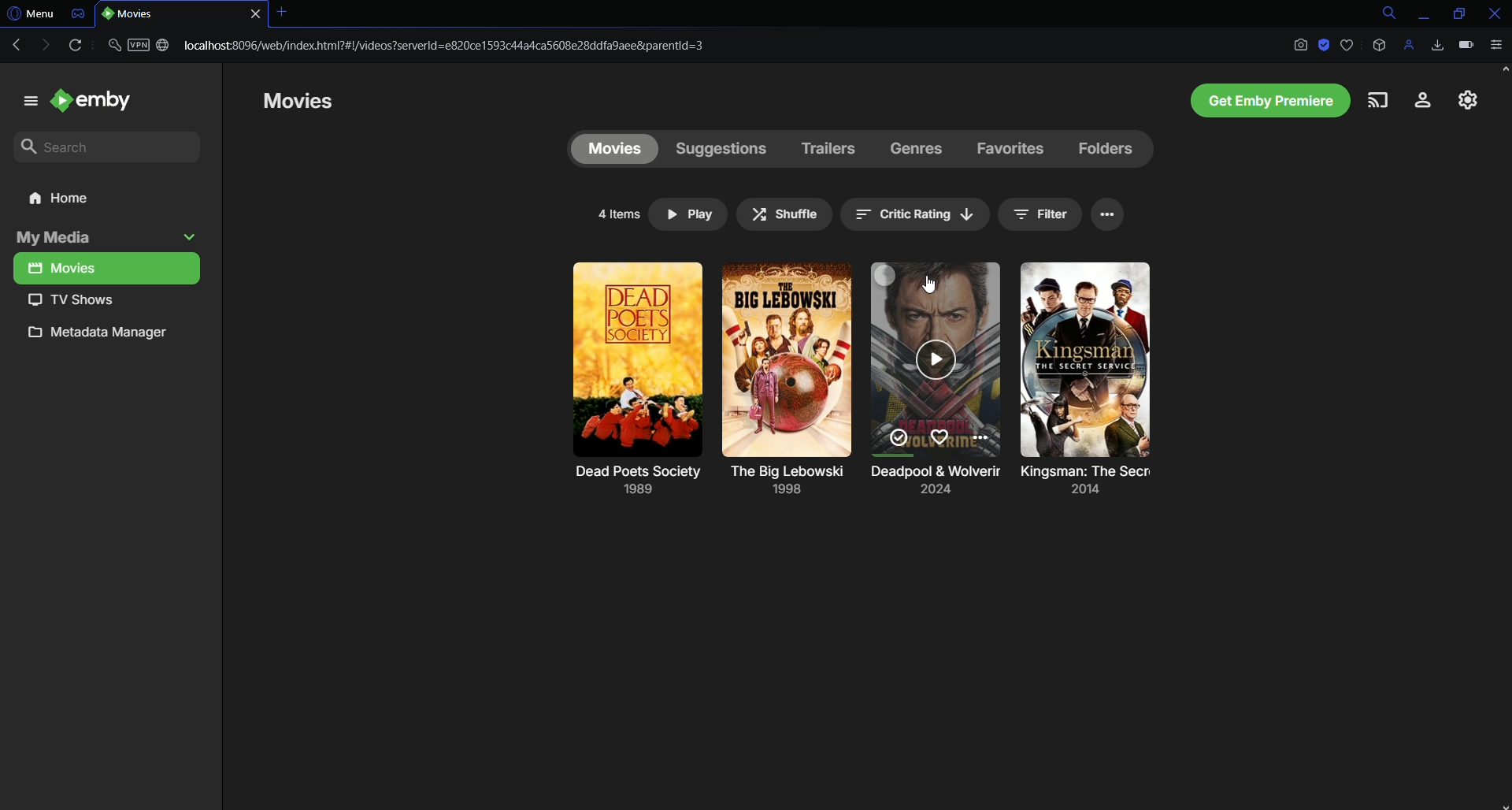  Describe the element at coordinates (931, 285) in the screenshot. I see `Cursor` at that location.